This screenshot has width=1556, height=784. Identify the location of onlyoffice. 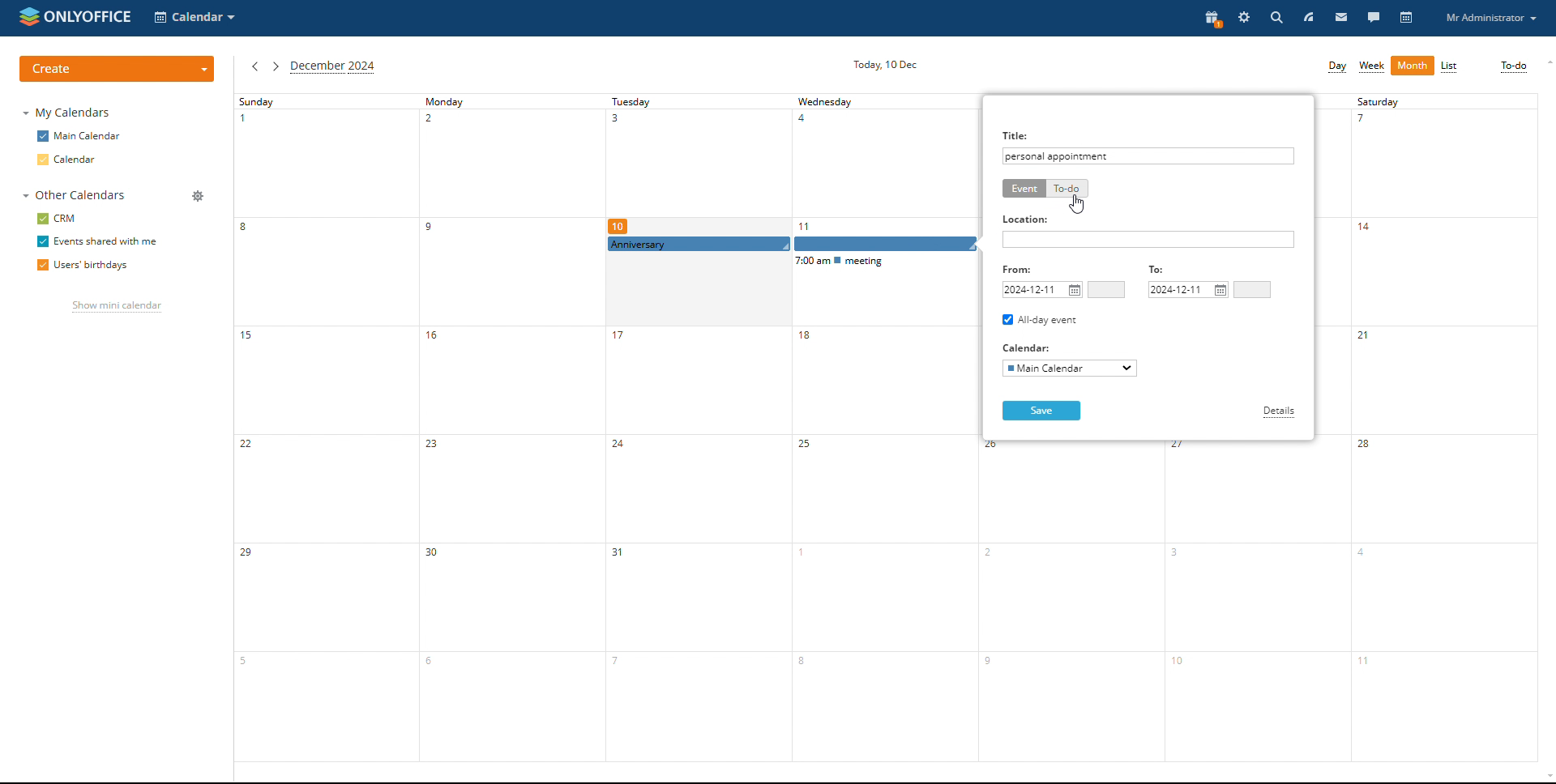
(88, 15).